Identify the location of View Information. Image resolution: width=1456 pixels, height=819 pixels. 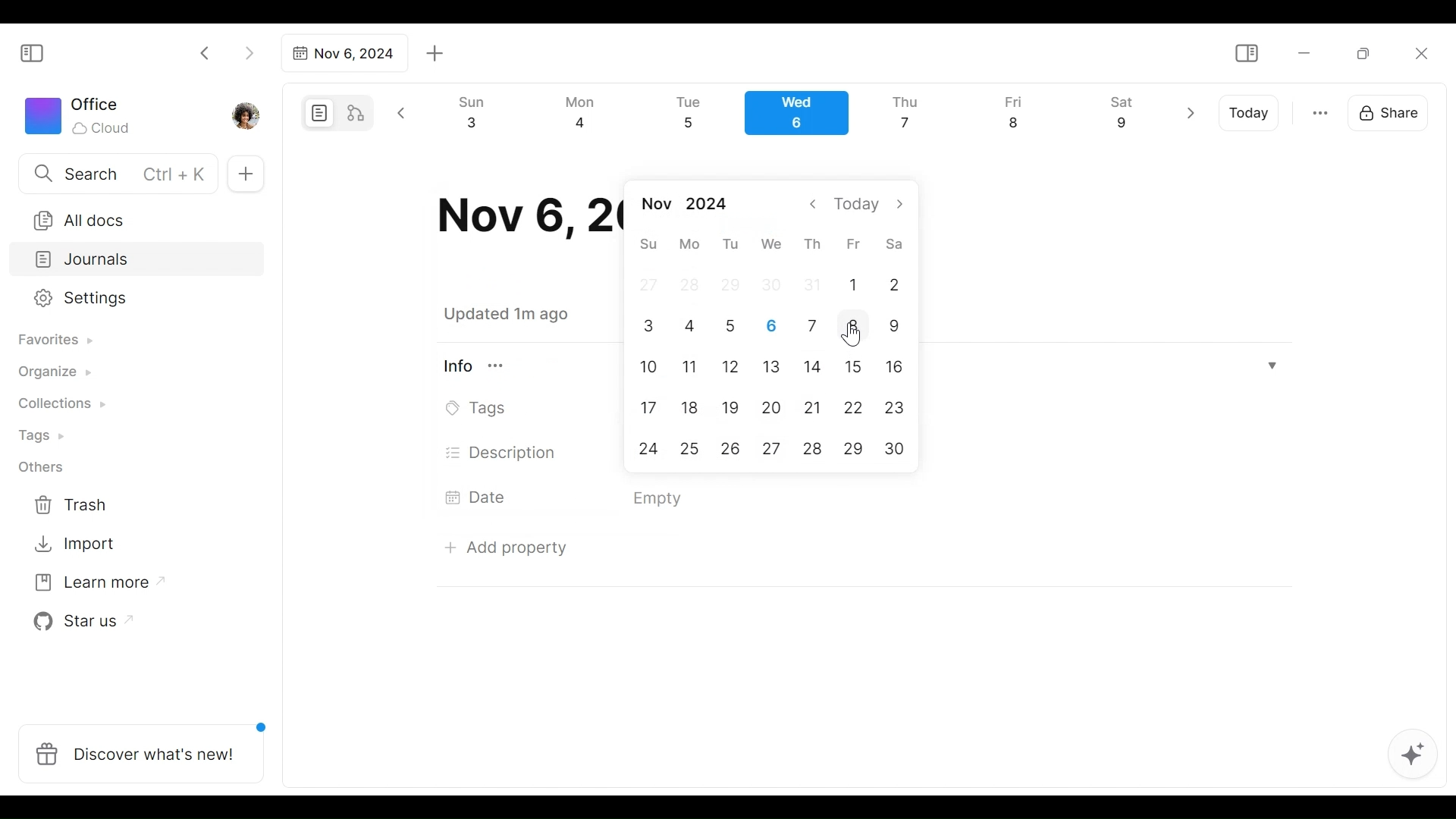
(483, 366).